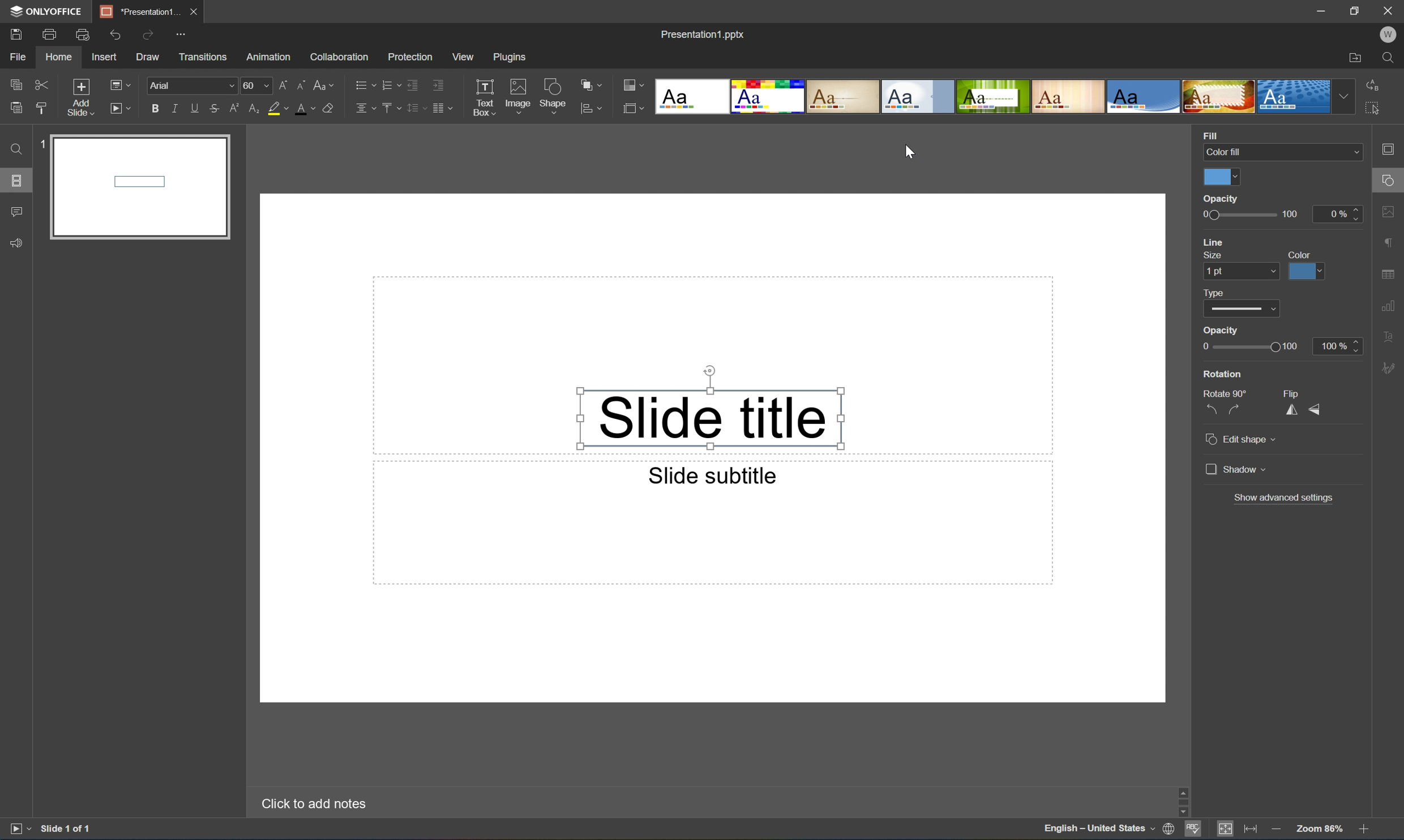 This screenshot has width=1404, height=840. What do you see at coordinates (1191, 832) in the screenshot?
I see `Spell checking` at bounding box center [1191, 832].